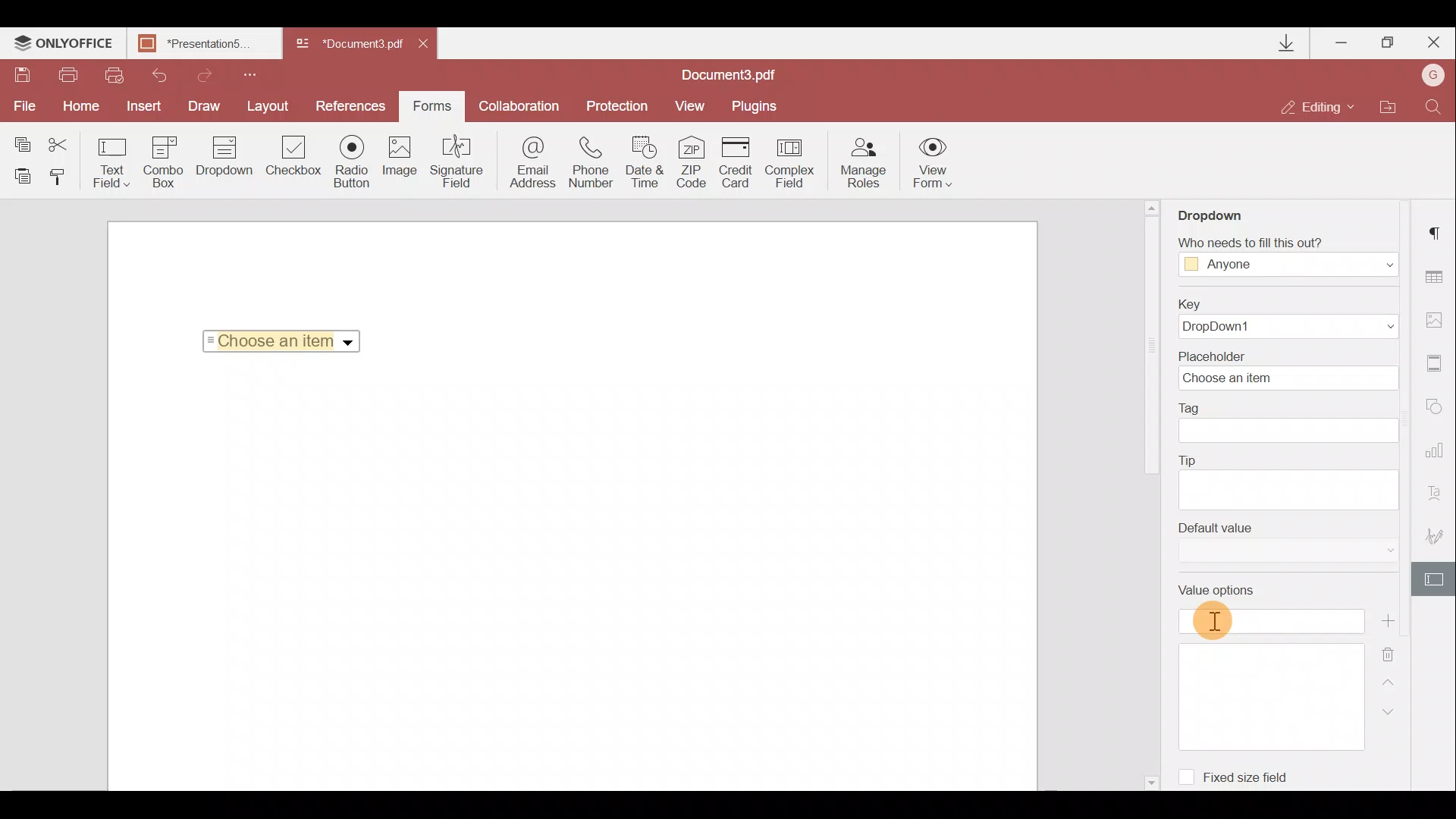 The width and height of the screenshot is (1456, 819). I want to click on Layout, so click(269, 104).